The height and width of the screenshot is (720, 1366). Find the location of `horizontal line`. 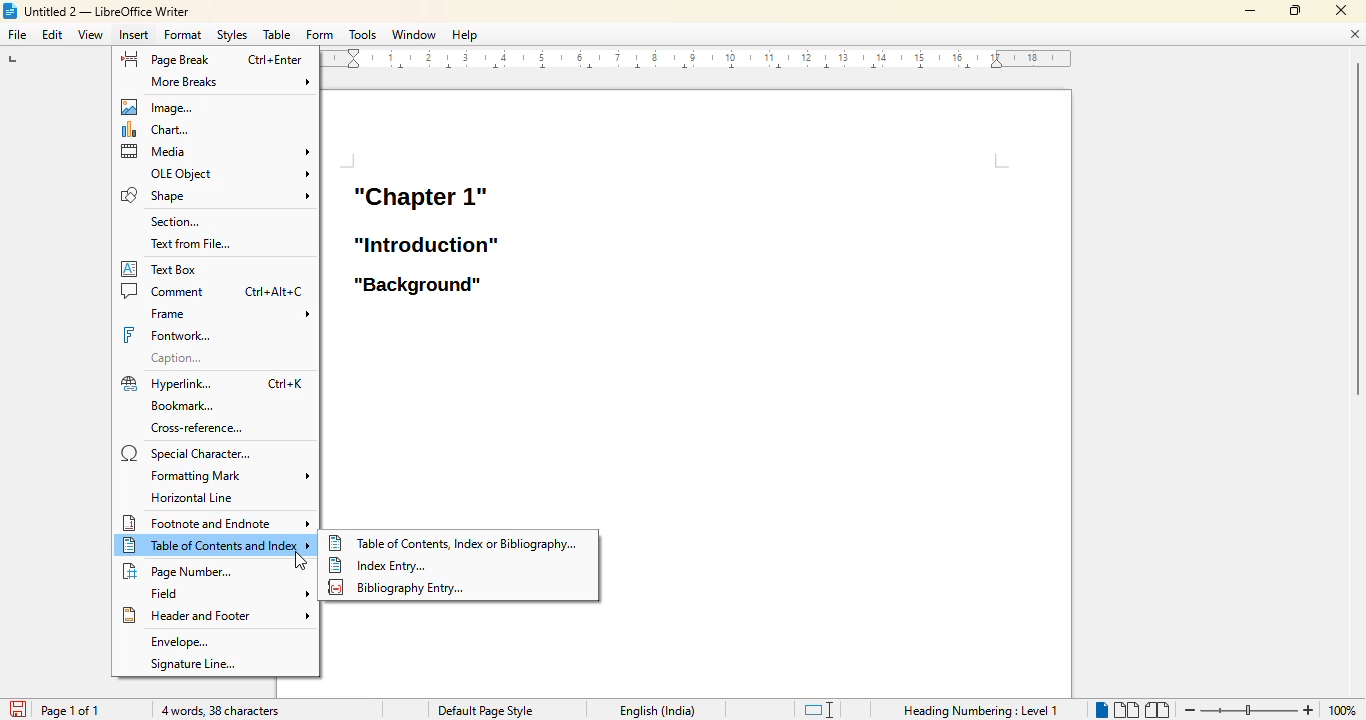

horizontal line is located at coordinates (196, 497).